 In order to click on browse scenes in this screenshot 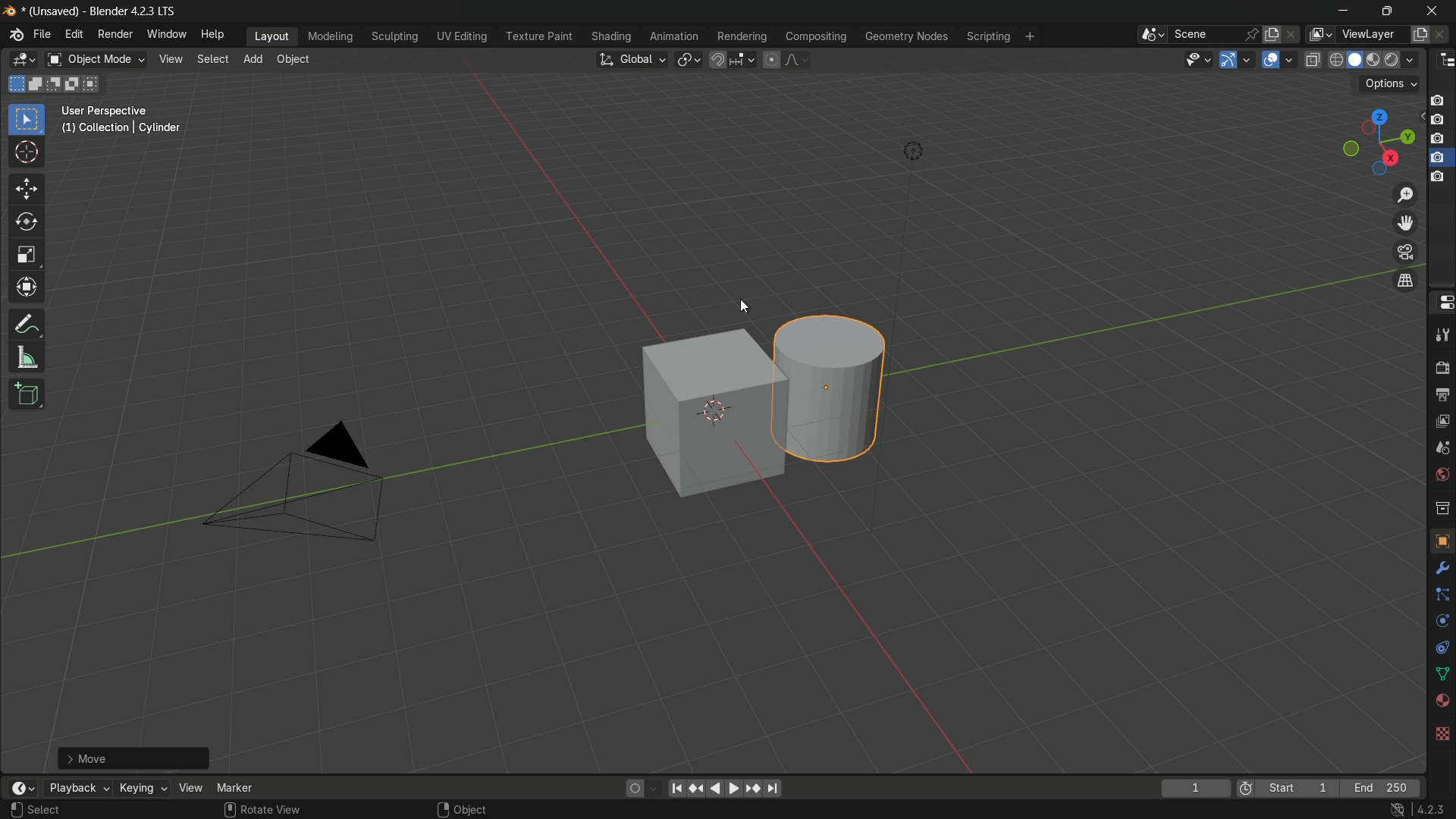, I will do `click(1151, 35)`.